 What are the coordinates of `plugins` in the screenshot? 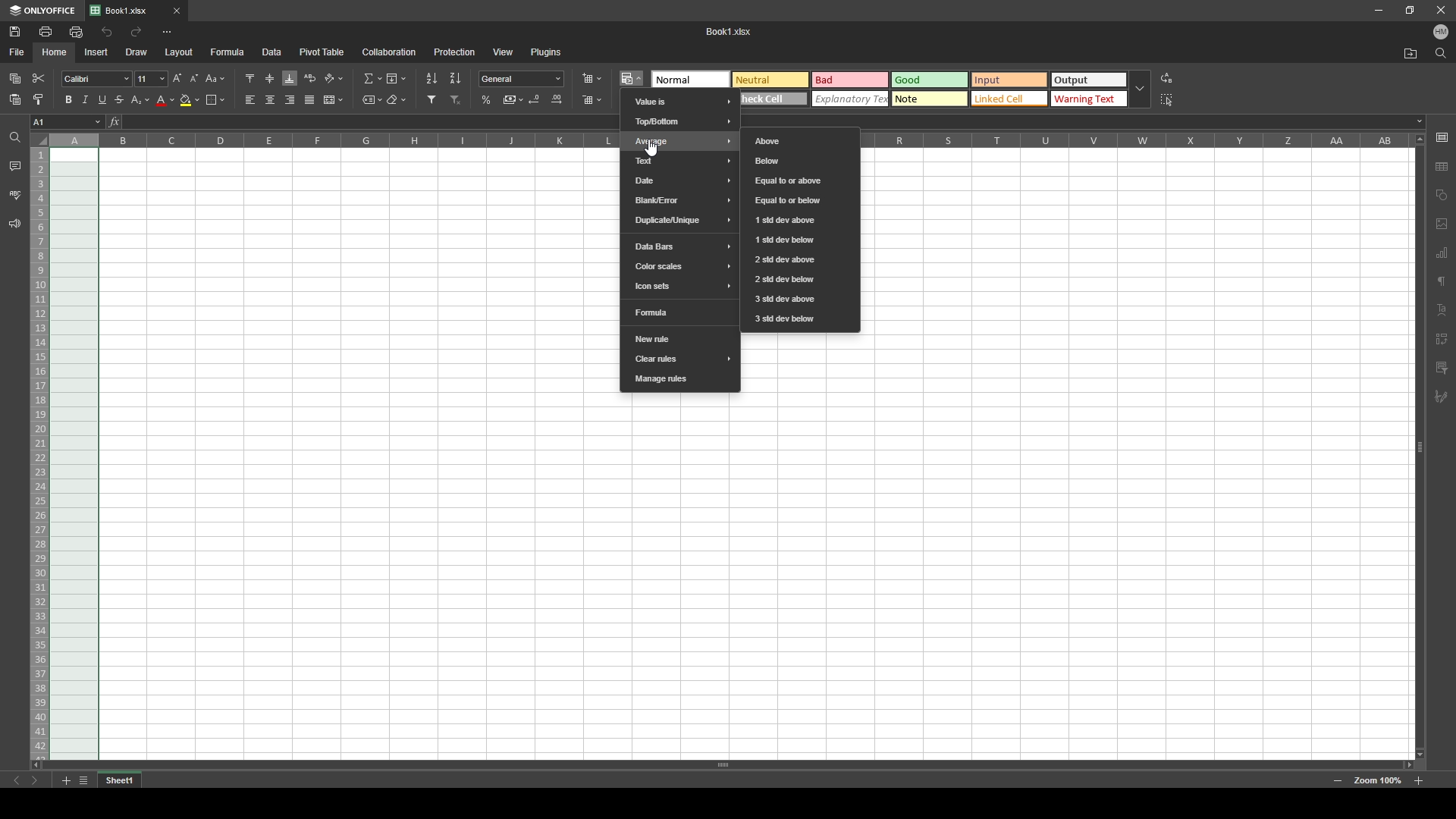 It's located at (548, 51).